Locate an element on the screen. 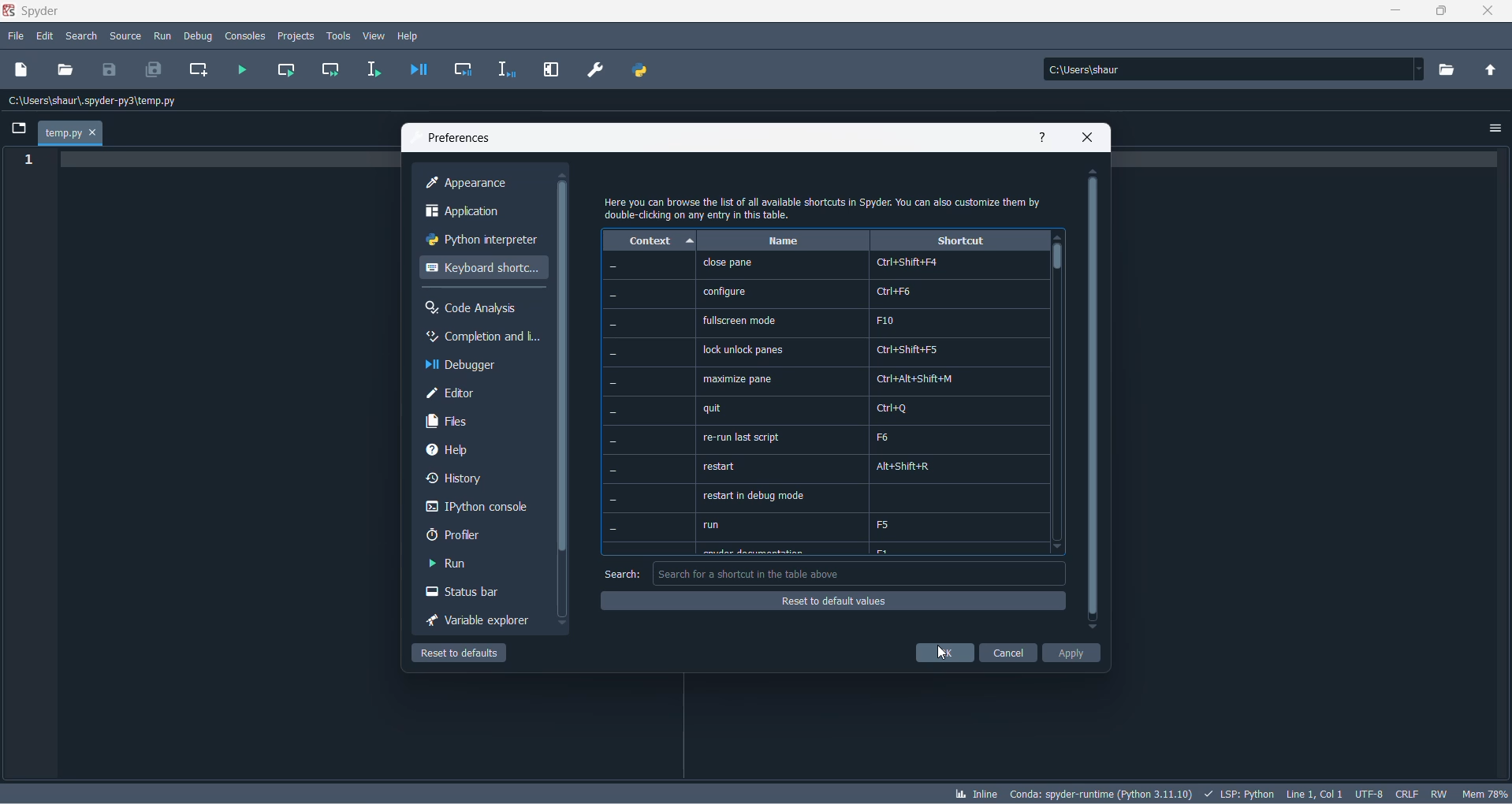 This screenshot has height=804, width=1512. search text is located at coordinates (621, 575).